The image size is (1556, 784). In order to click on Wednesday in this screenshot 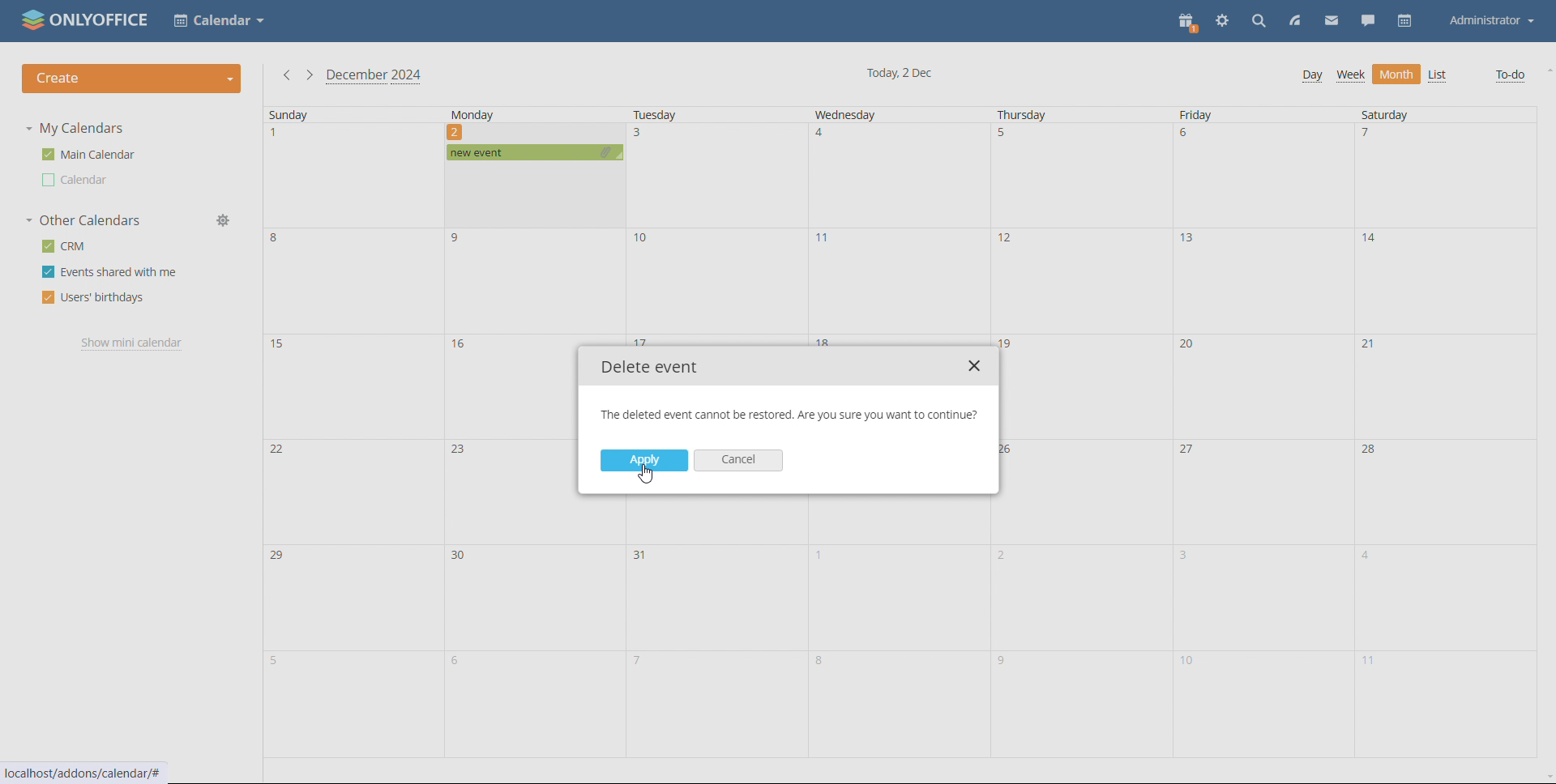, I will do `click(844, 116)`.